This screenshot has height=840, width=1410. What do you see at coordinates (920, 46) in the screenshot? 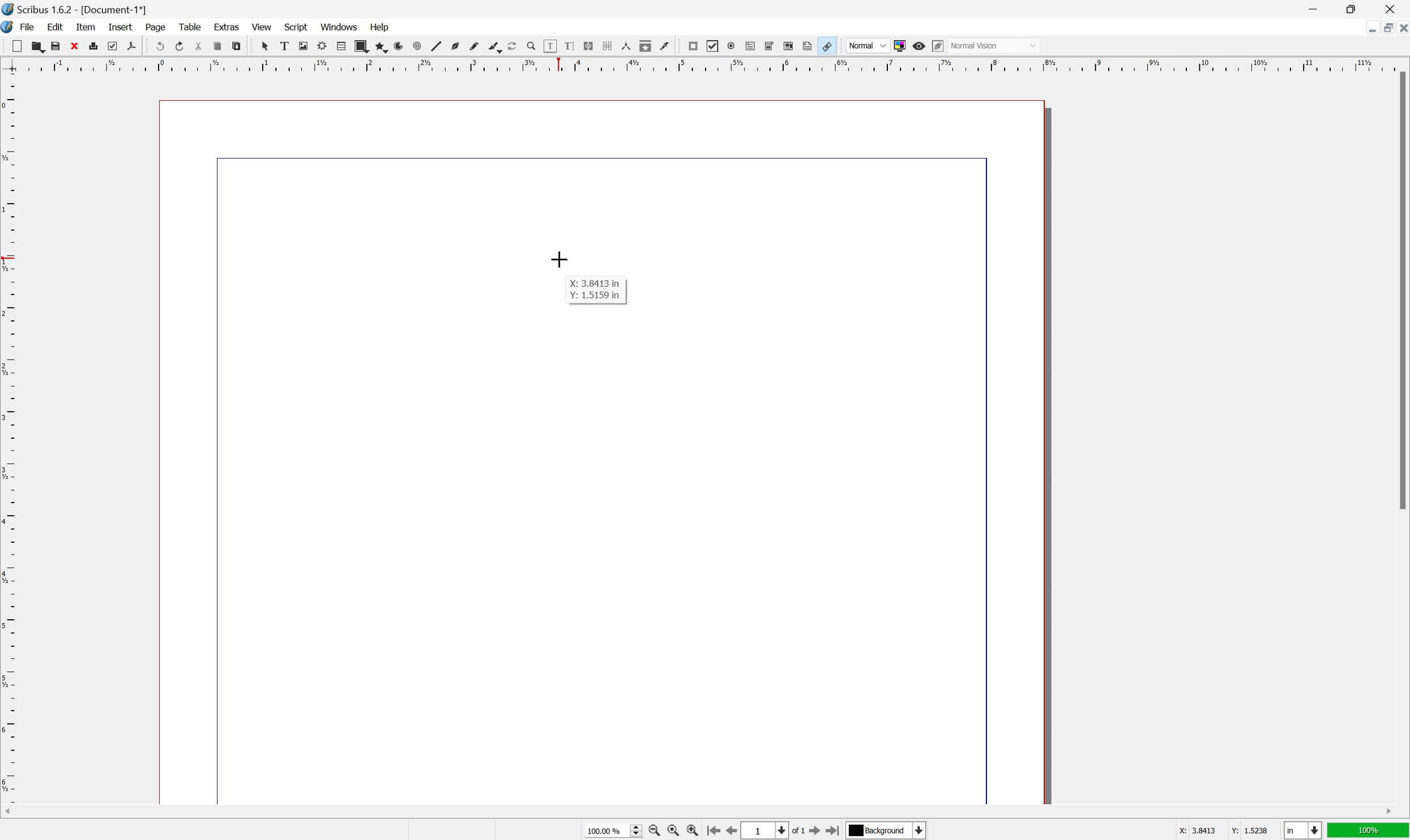
I see `preview mode` at bounding box center [920, 46].